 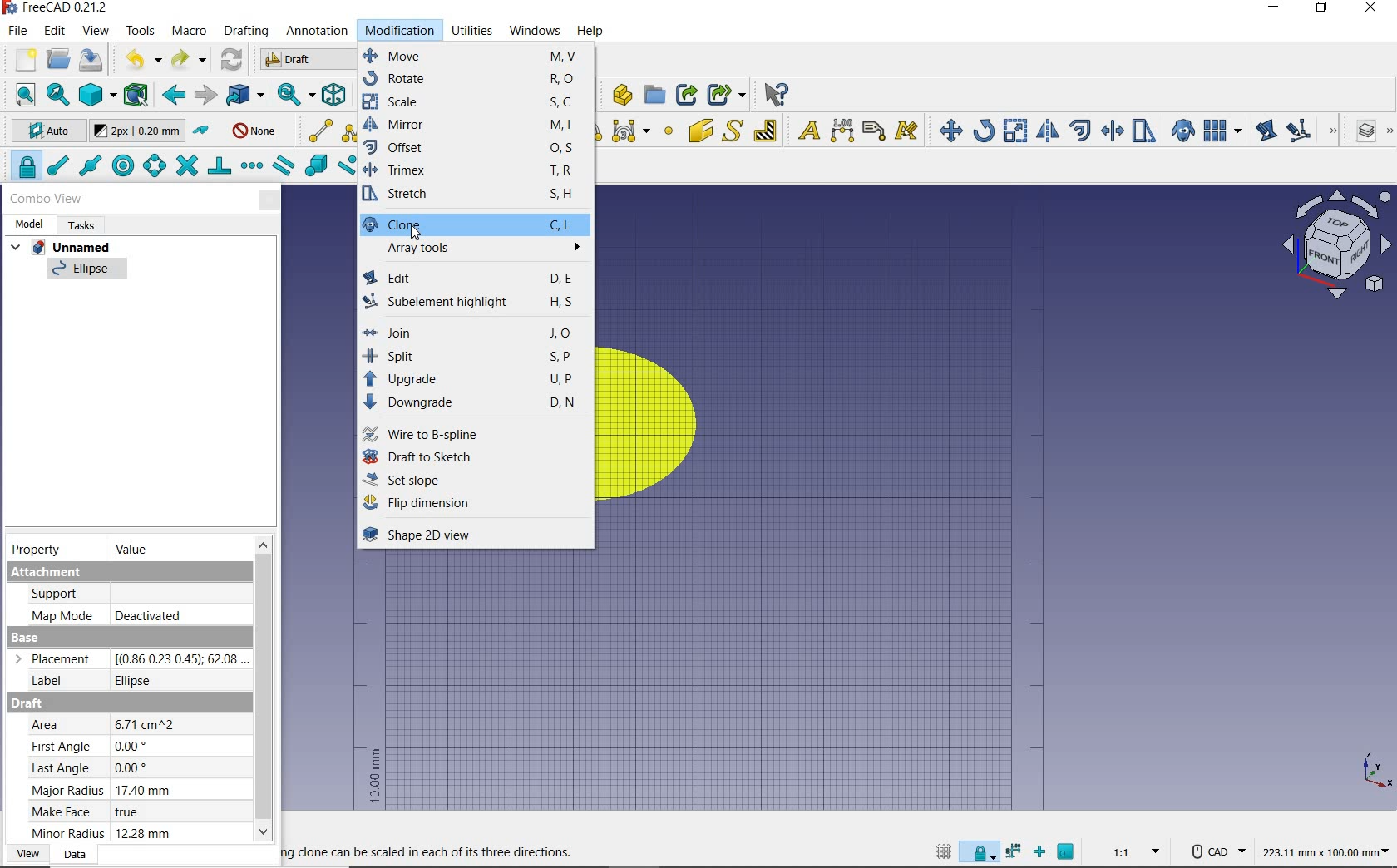 I want to click on annotation styles, so click(x=908, y=131).